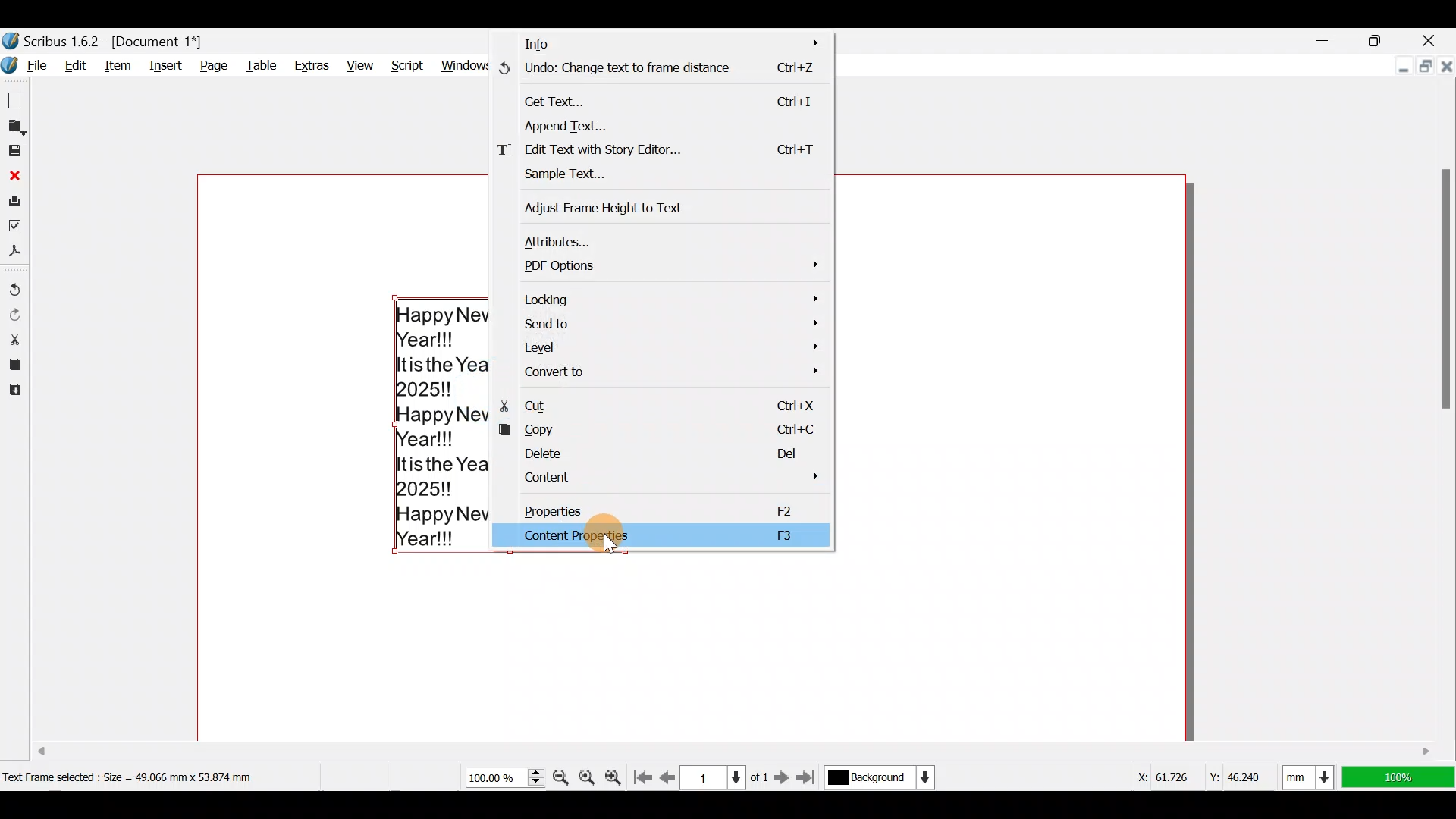 The width and height of the screenshot is (1456, 819). I want to click on Info, so click(670, 41).